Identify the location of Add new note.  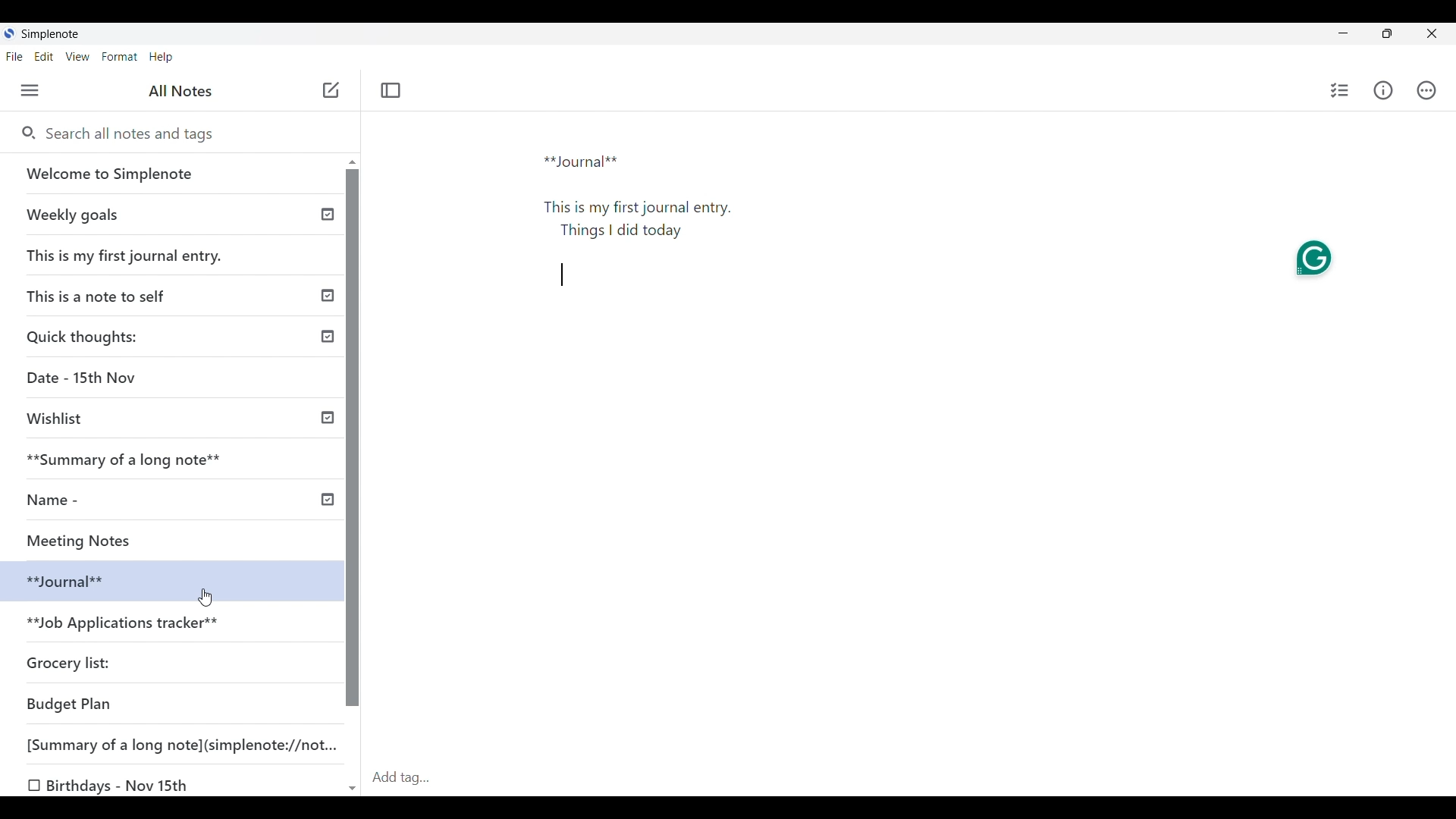
(331, 89).